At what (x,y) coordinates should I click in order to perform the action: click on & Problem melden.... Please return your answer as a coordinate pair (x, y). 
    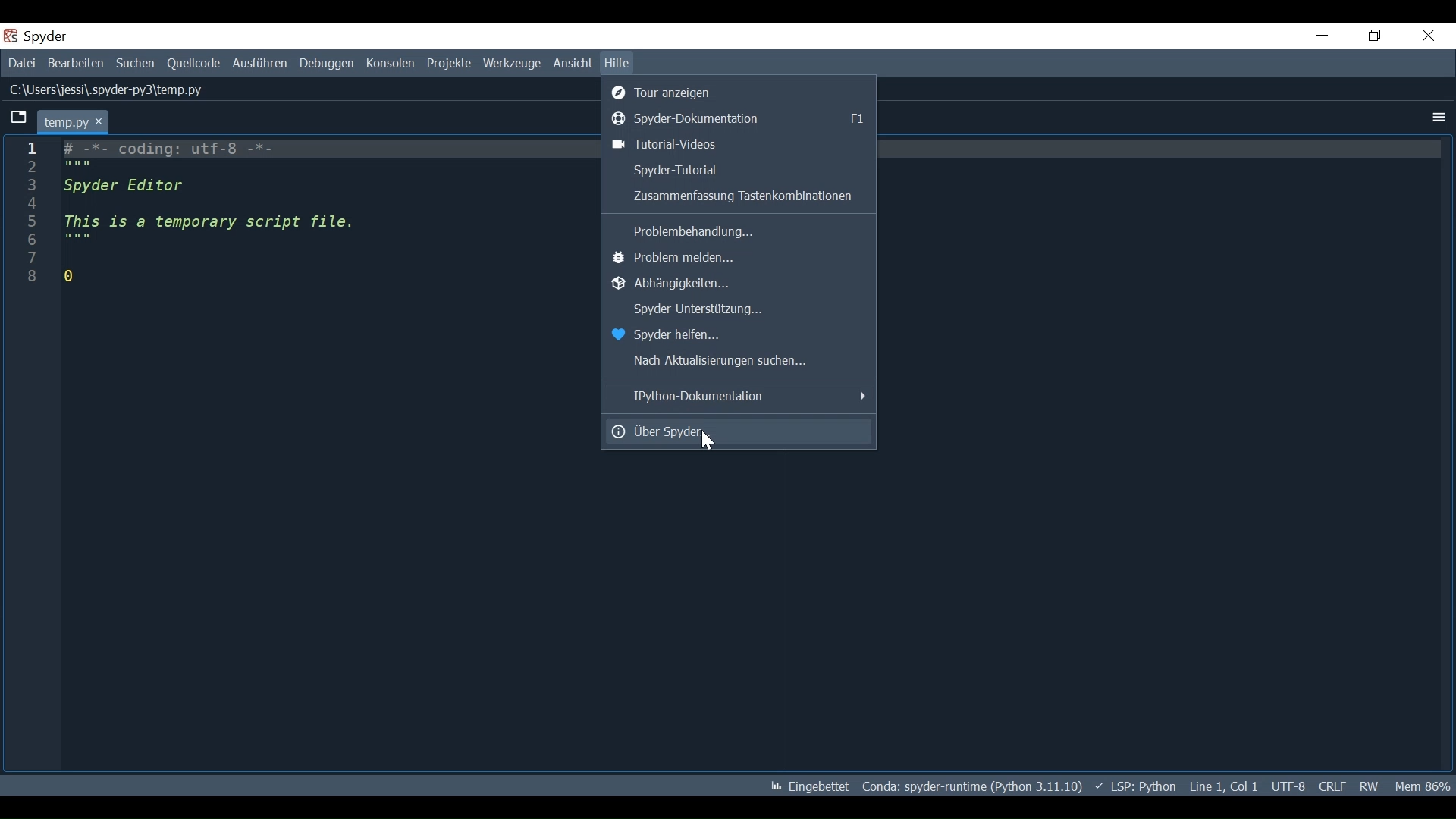
    Looking at the image, I should click on (682, 259).